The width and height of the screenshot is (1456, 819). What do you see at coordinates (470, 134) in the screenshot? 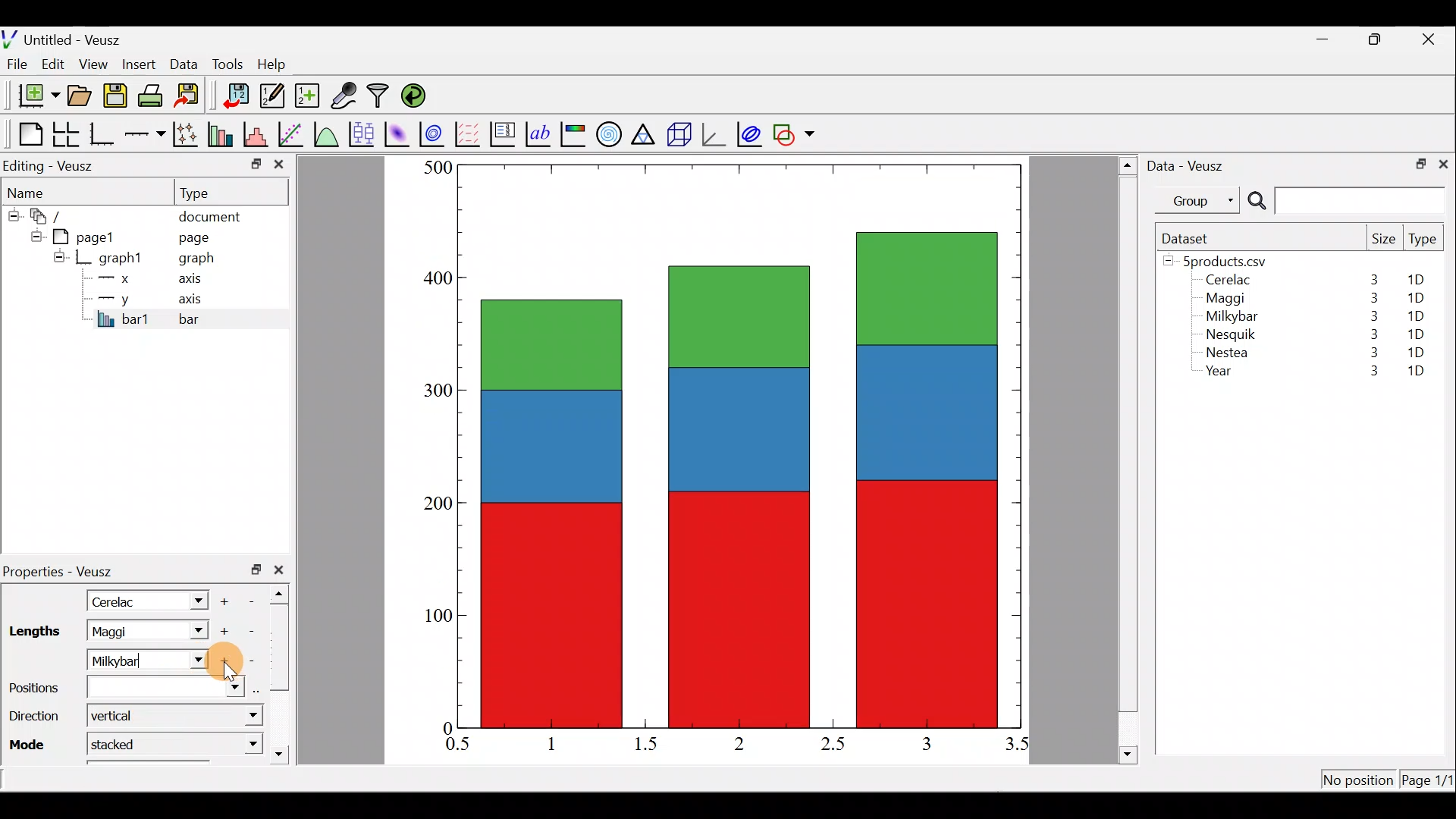
I see `Plot a vector field` at bounding box center [470, 134].